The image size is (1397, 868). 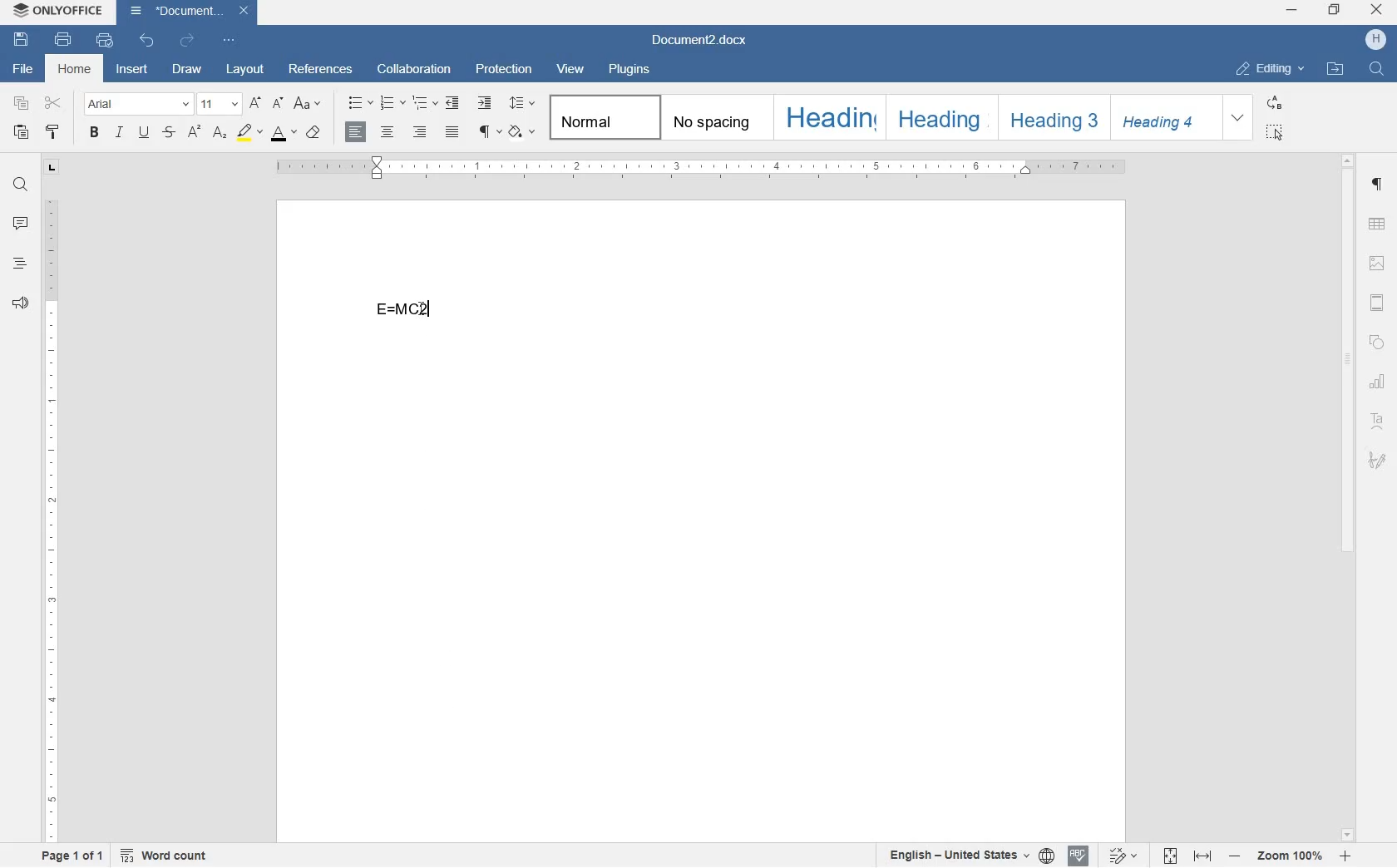 What do you see at coordinates (73, 71) in the screenshot?
I see `home` at bounding box center [73, 71].